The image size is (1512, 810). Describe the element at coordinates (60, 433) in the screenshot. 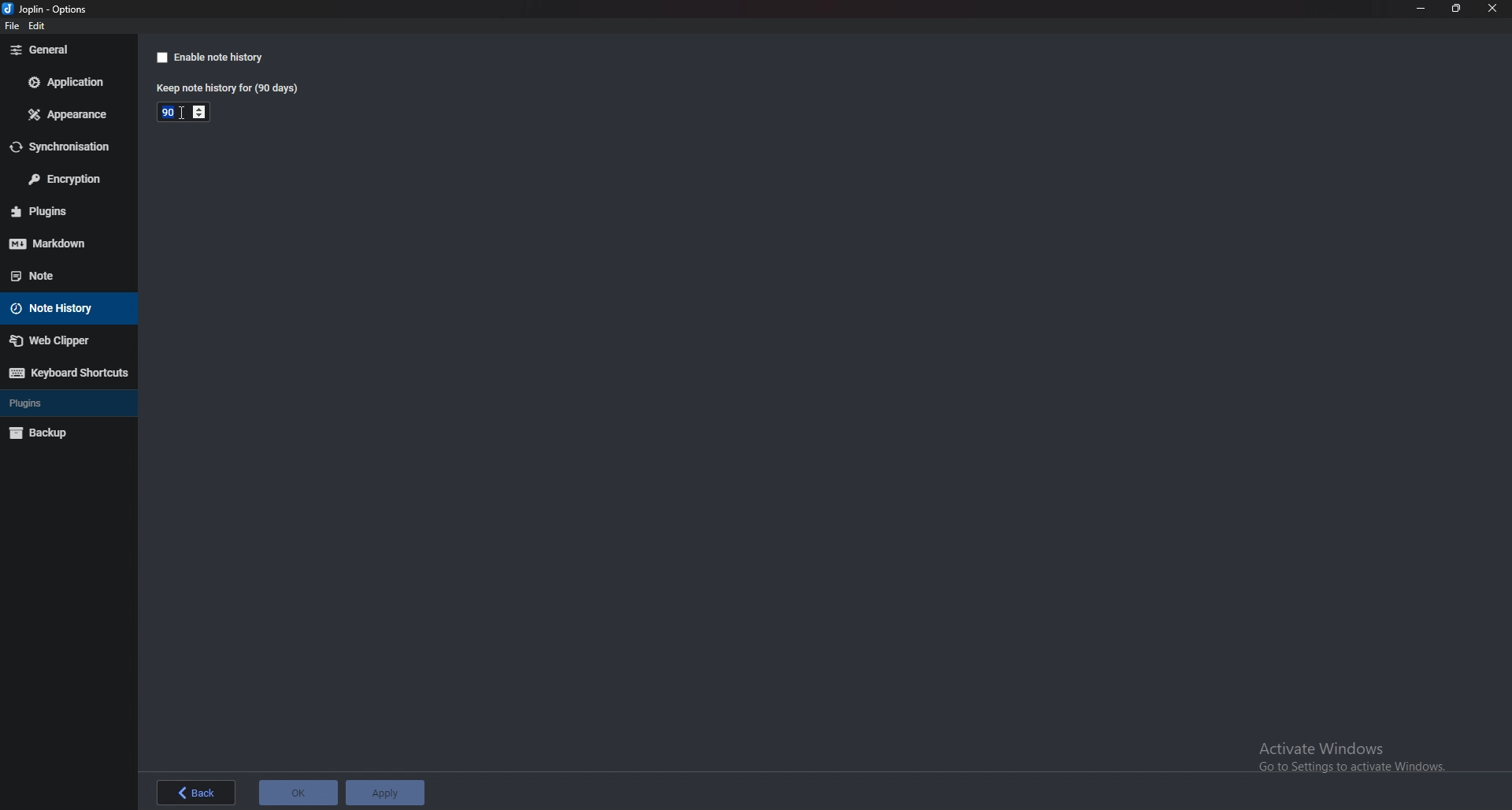

I see `Back up` at that location.